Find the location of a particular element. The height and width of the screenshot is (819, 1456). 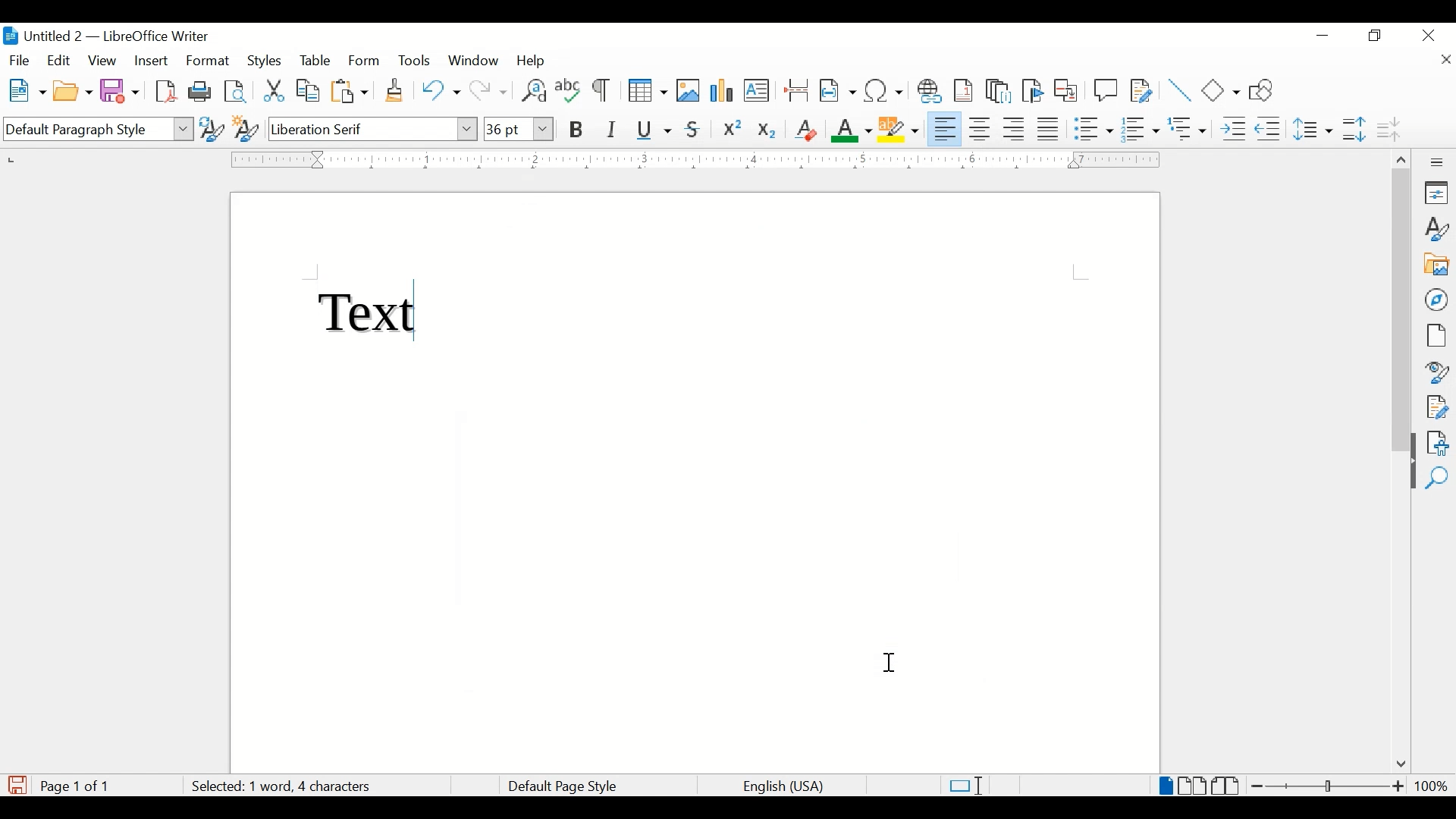

clear direct formatting is located at coordinates (805, 130).